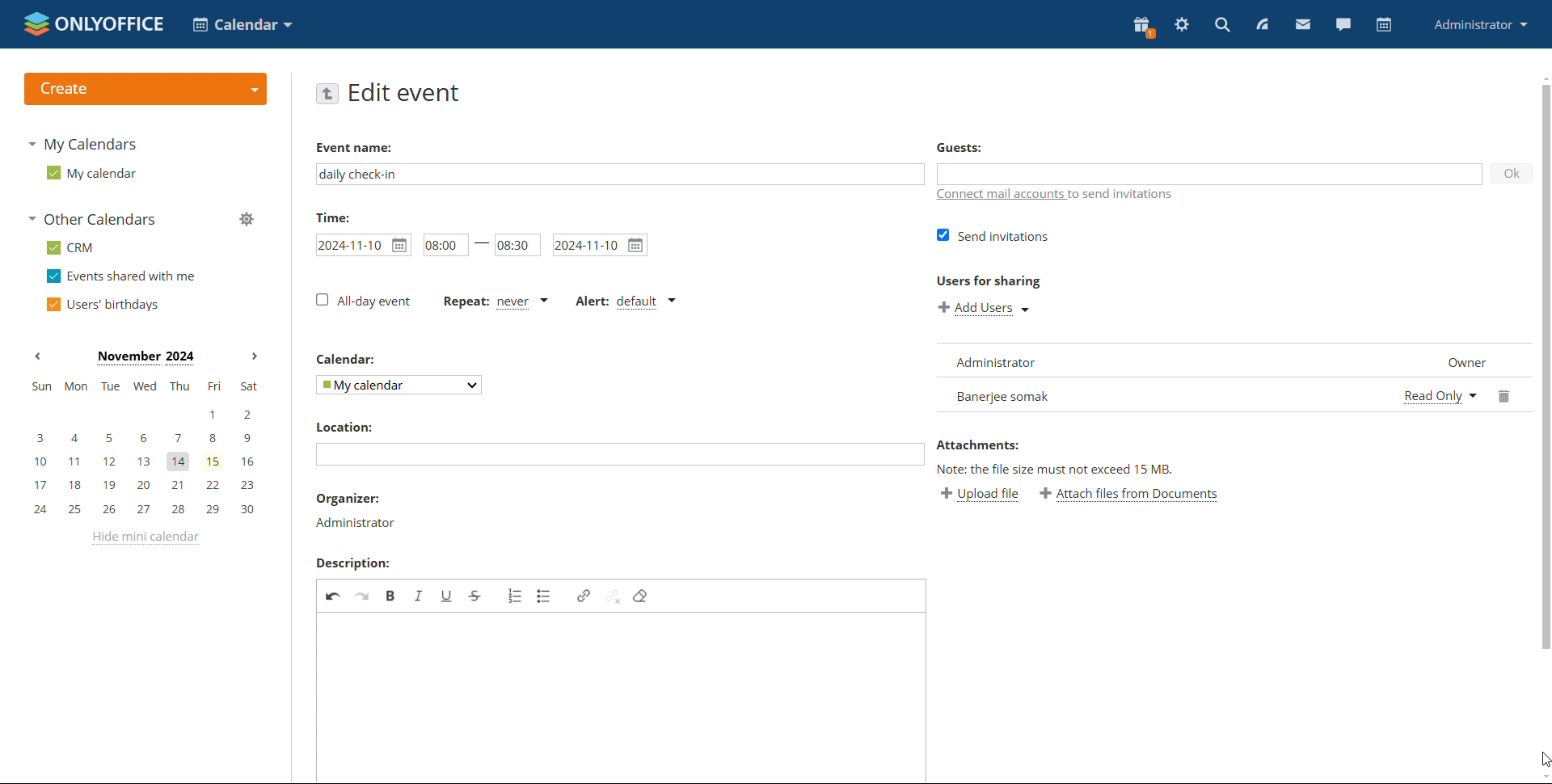  What do you see at coordinates (354, 523) in the screenshot?
I see `administrator` at bounding box center [354, 523].